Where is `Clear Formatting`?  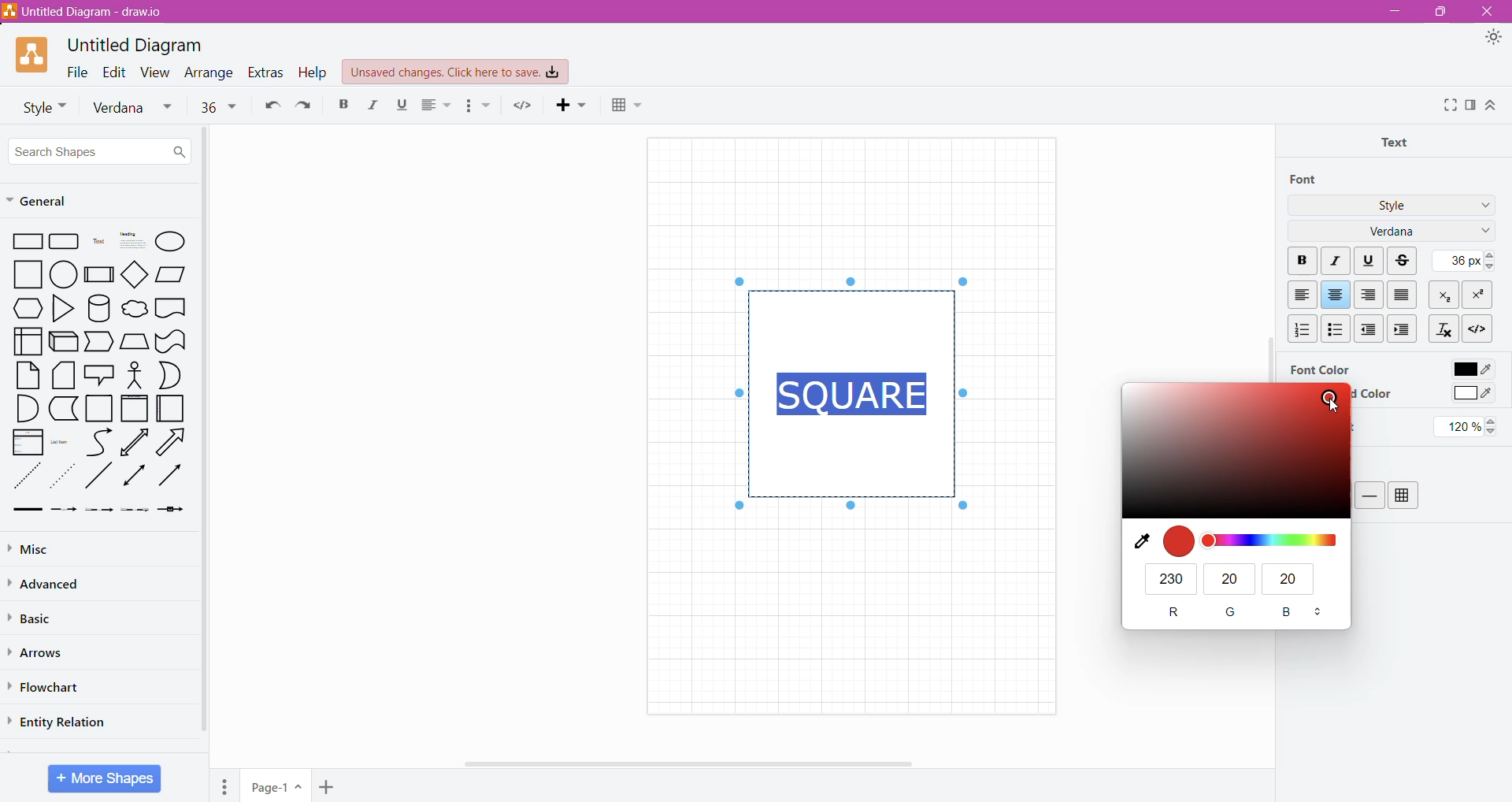 Clear Formatting is located at coordinates (1443, 328).